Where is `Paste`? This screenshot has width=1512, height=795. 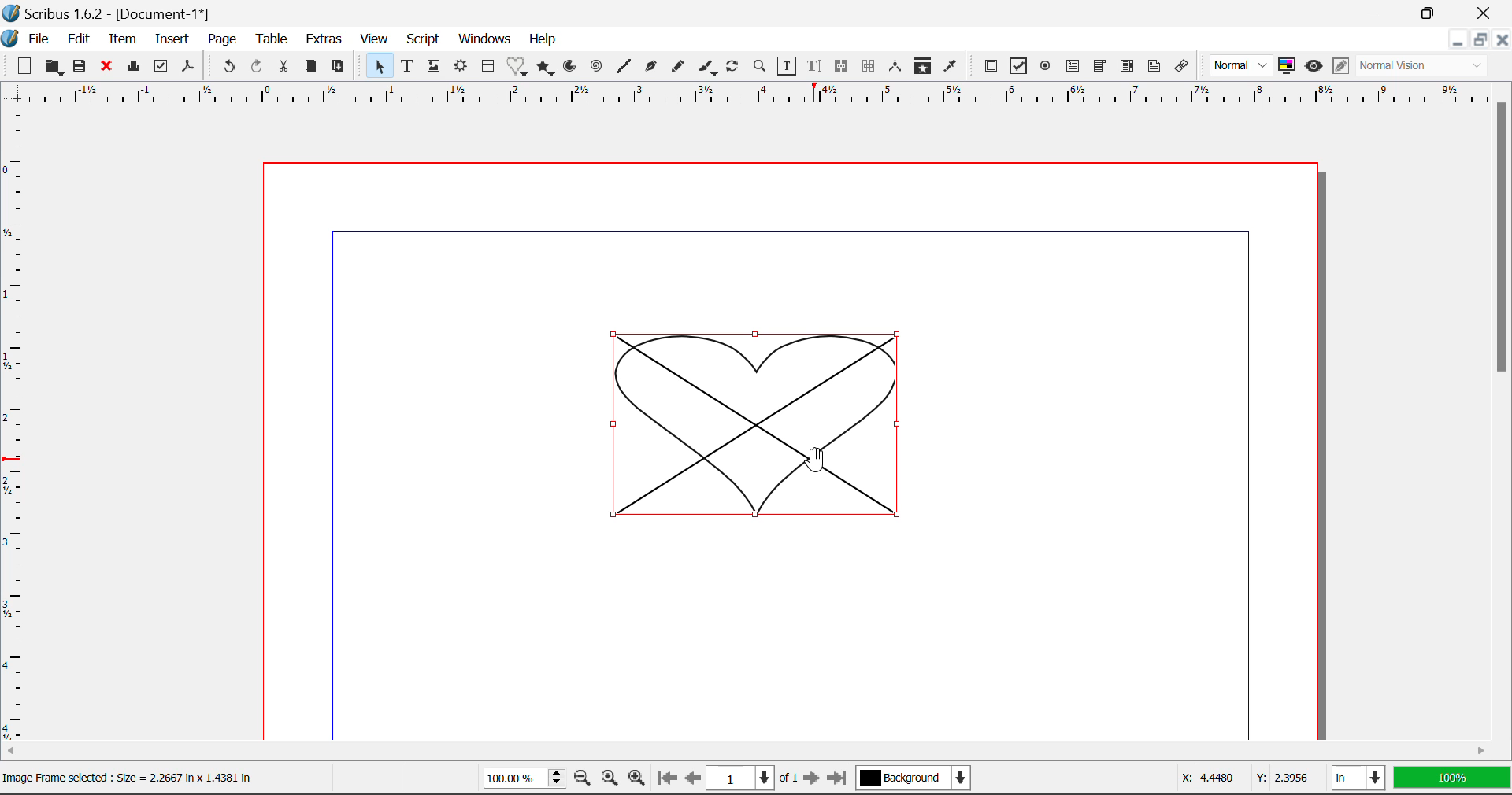 Paste is located at coordinates (342, 65).